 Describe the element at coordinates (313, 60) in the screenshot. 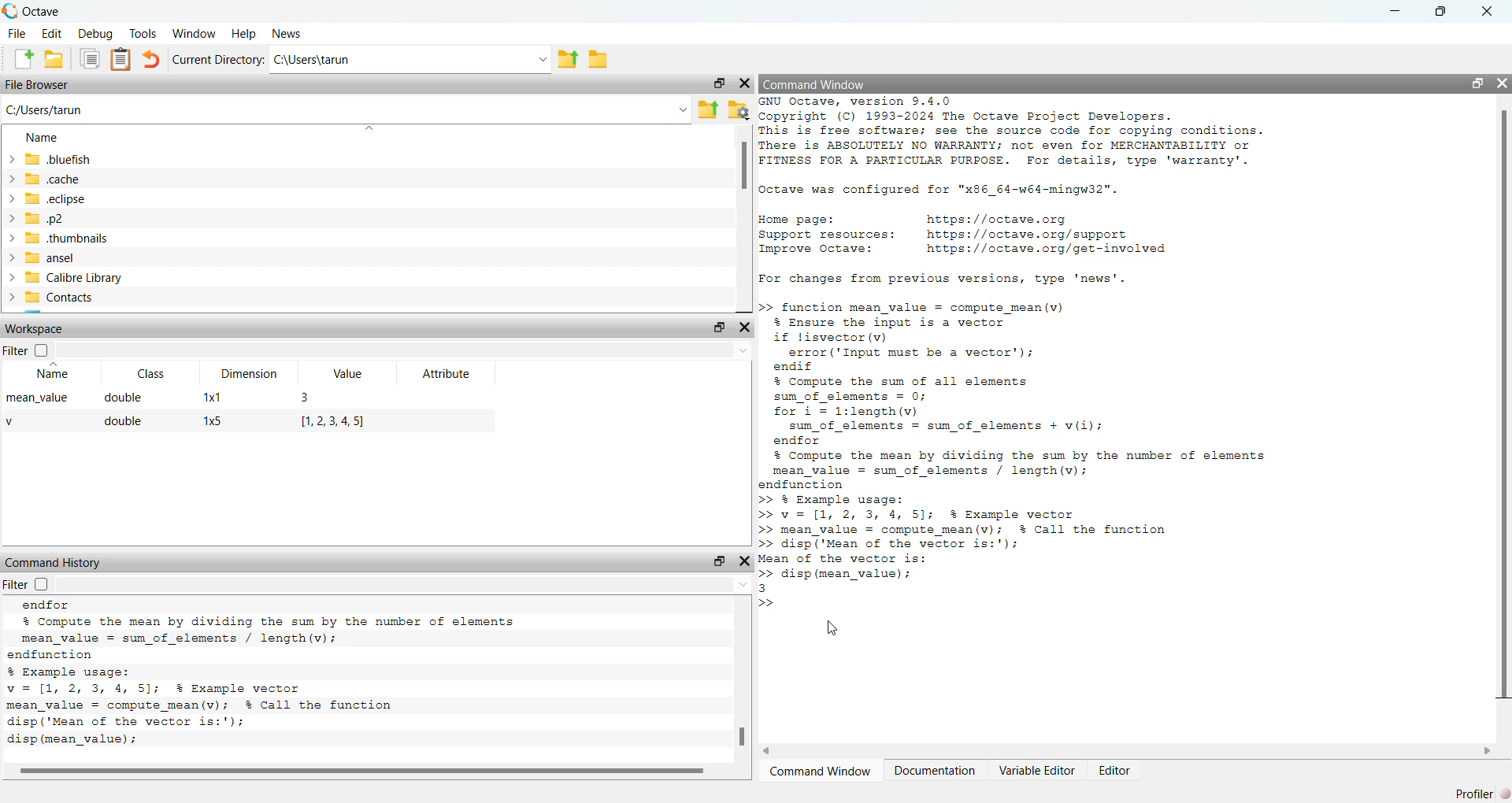

I see `C:\Users\tarun` at that location.